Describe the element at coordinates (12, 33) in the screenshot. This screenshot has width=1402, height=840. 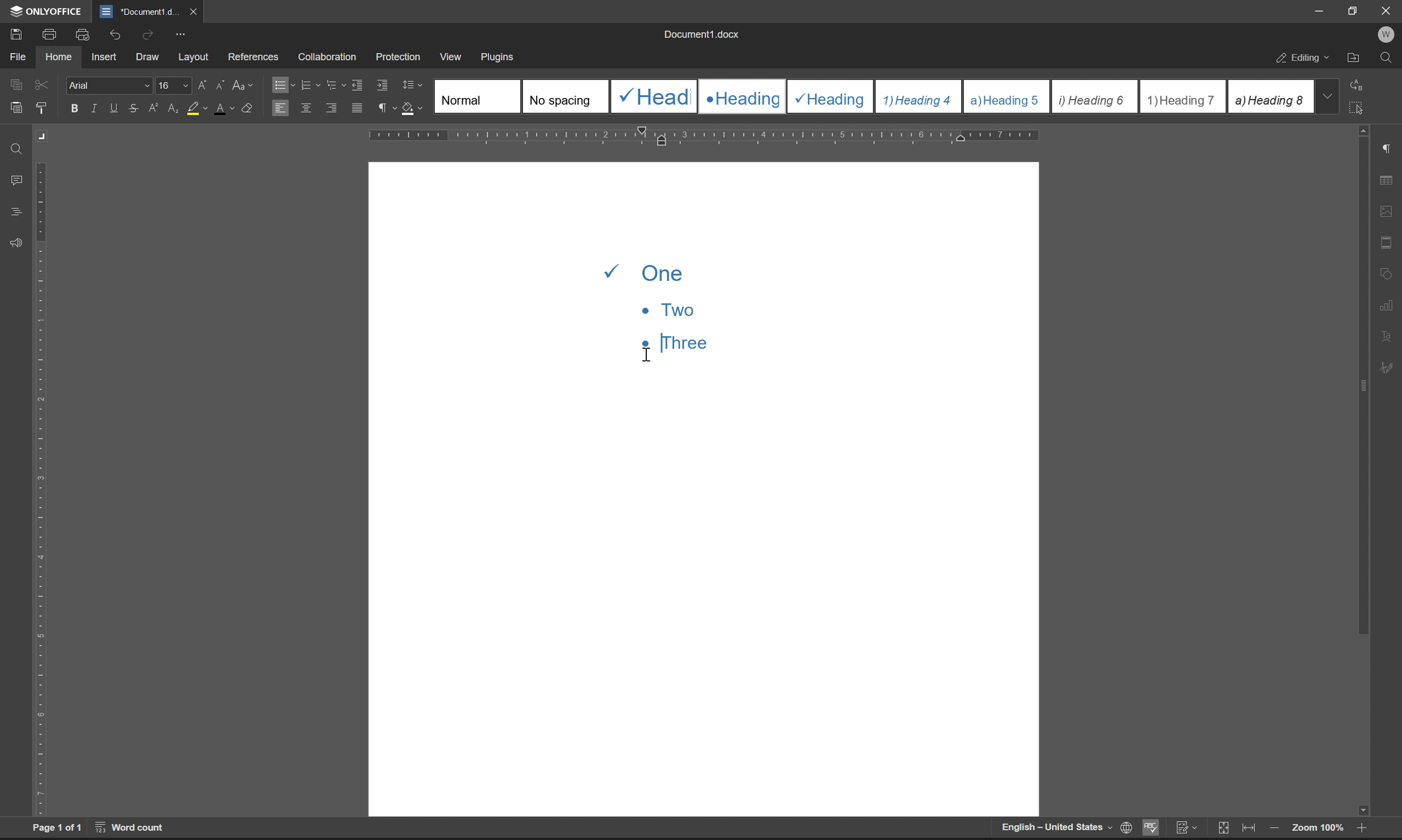
I see `save` at that location.